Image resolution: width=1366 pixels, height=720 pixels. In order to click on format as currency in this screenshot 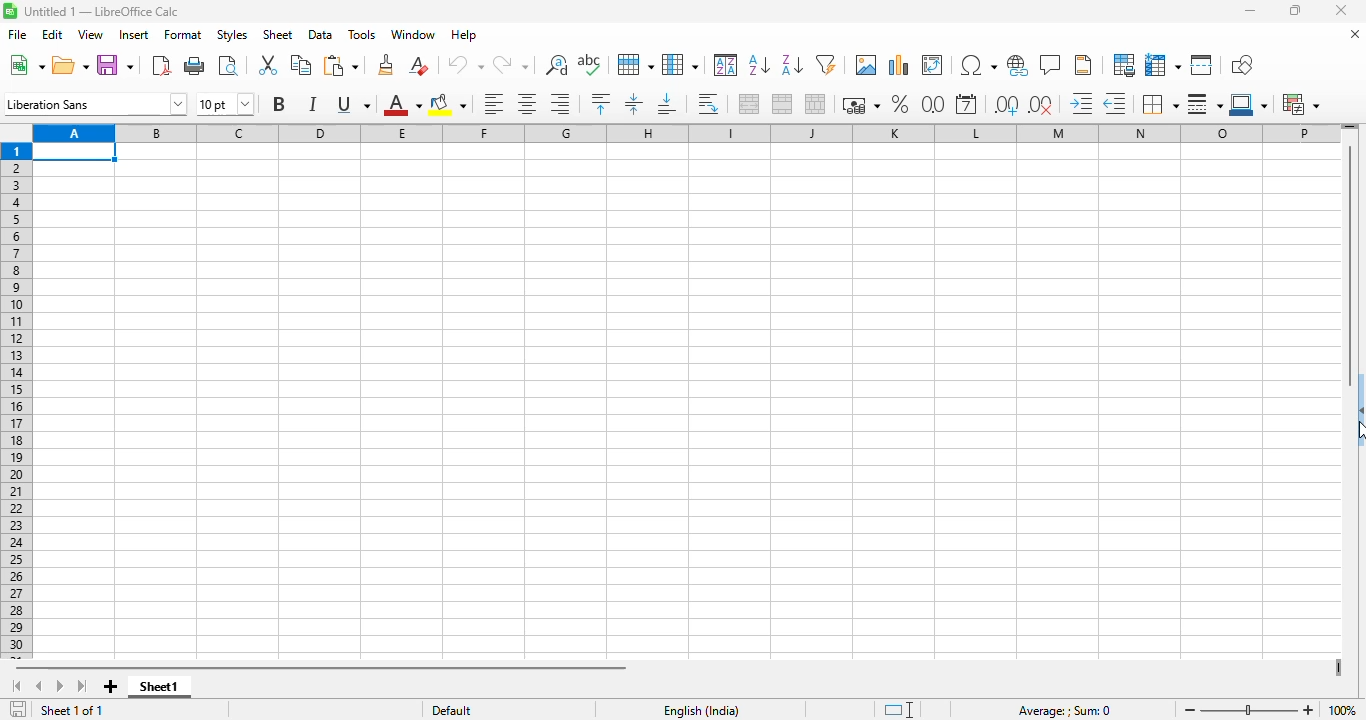, I will do `click(860, 104)`.